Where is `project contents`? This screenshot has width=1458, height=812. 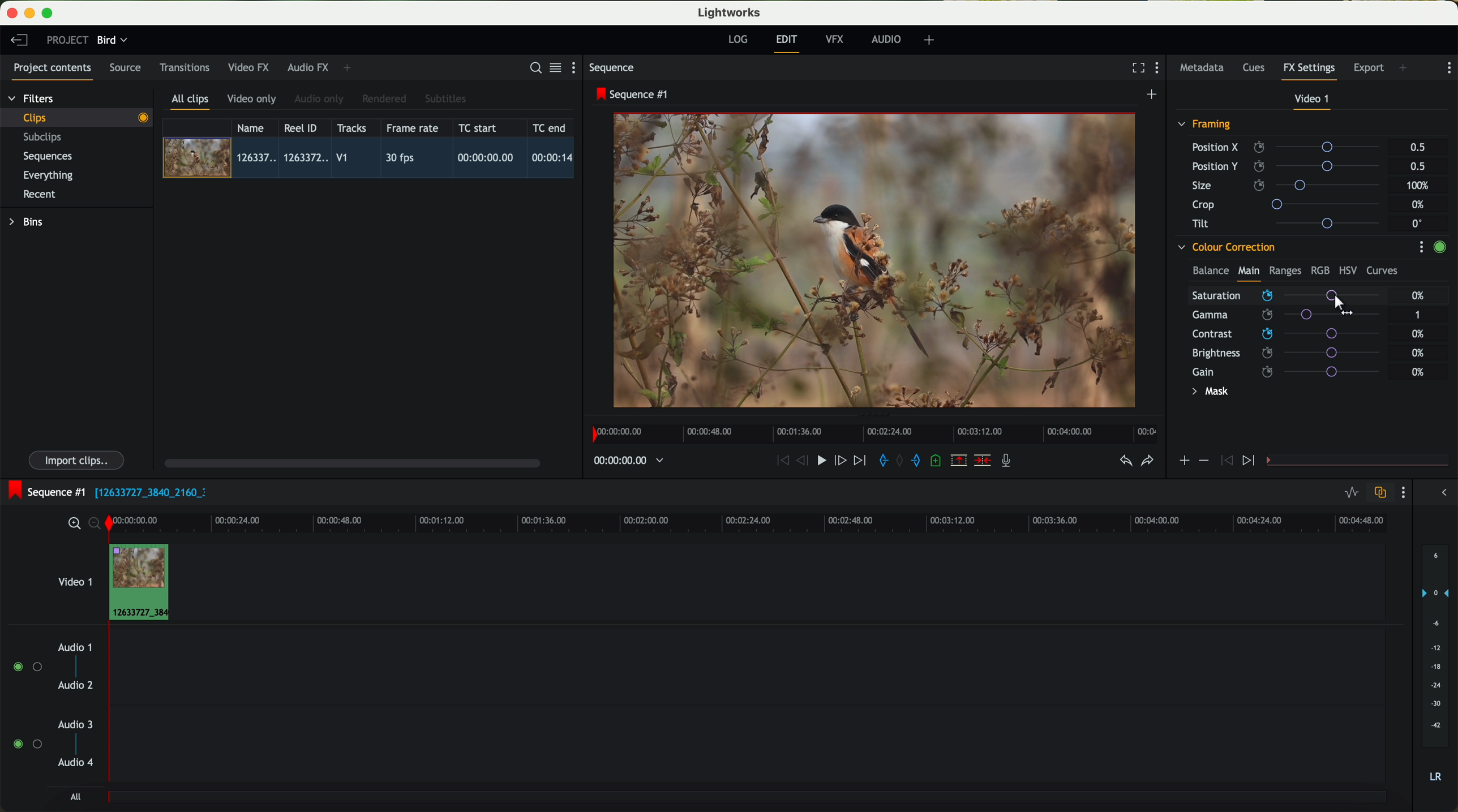 project contents is located at coordinates (53, 71).